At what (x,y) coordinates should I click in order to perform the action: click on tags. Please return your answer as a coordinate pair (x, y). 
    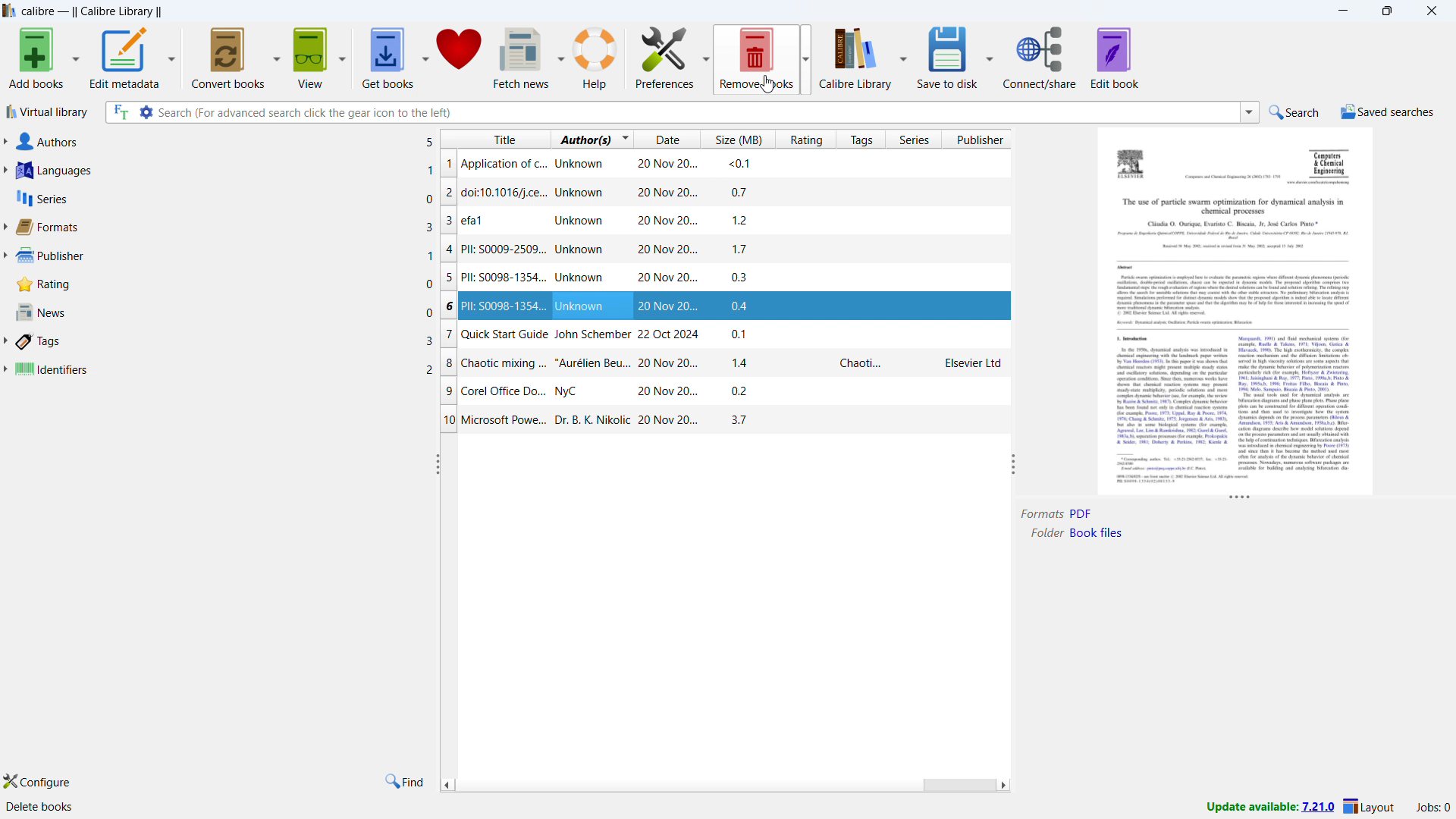
    Looking at the image, I should click on (219, 340).